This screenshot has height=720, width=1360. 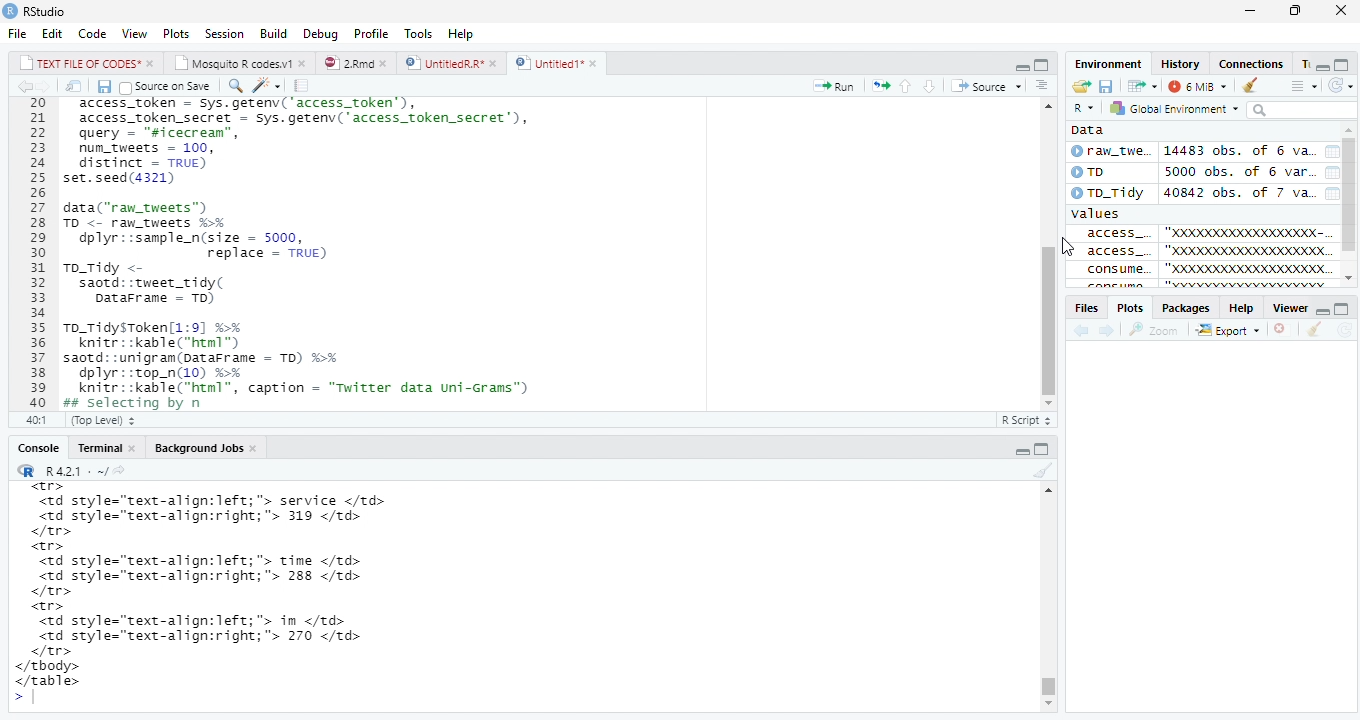 What do you see at coordinates (1020, 63) in the screenshot?
I see `minimze/maximize` at bounding box center [1020, 63].